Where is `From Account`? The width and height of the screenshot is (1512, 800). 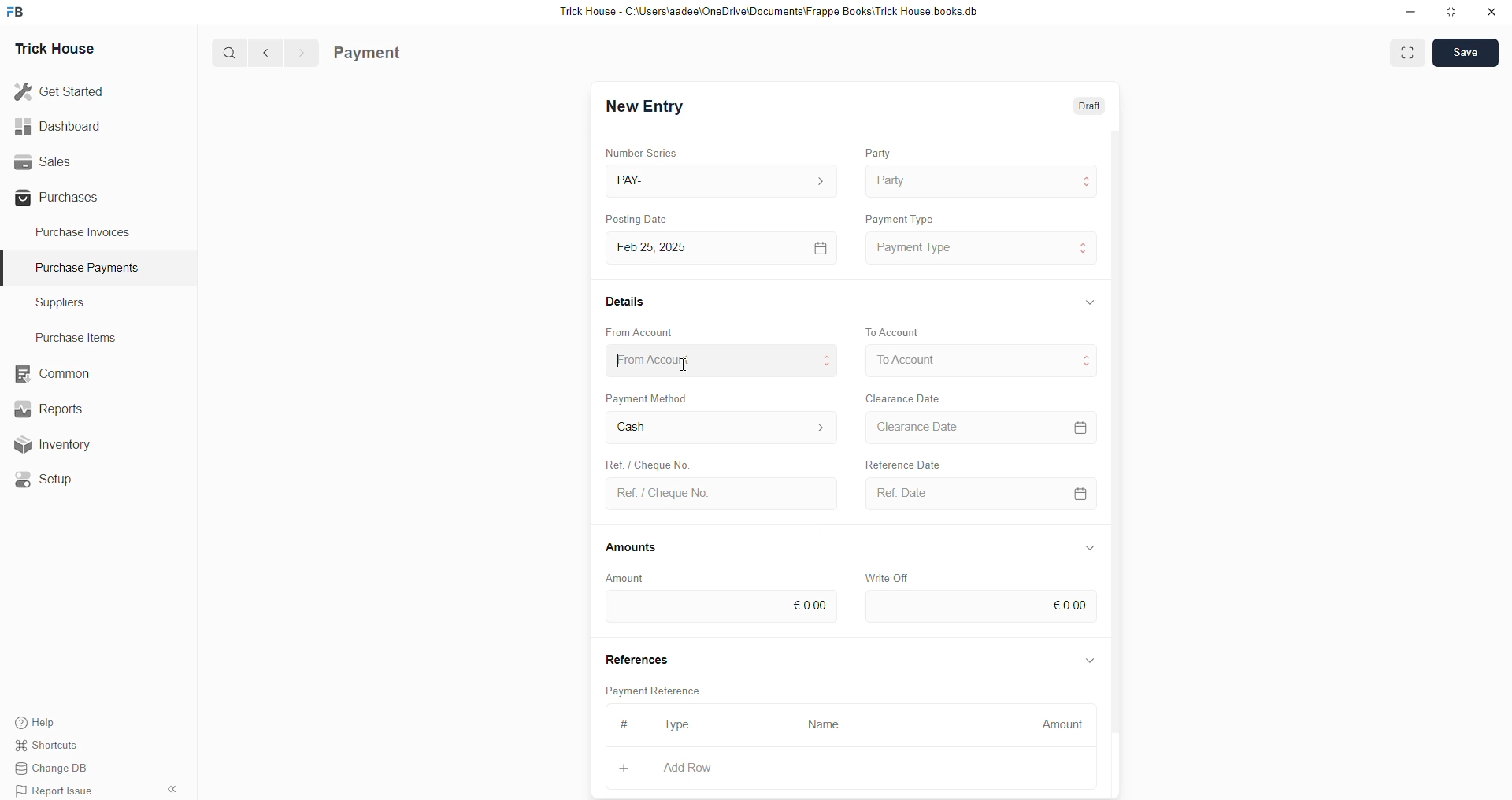 From Account is located at coordinates (661, 361).